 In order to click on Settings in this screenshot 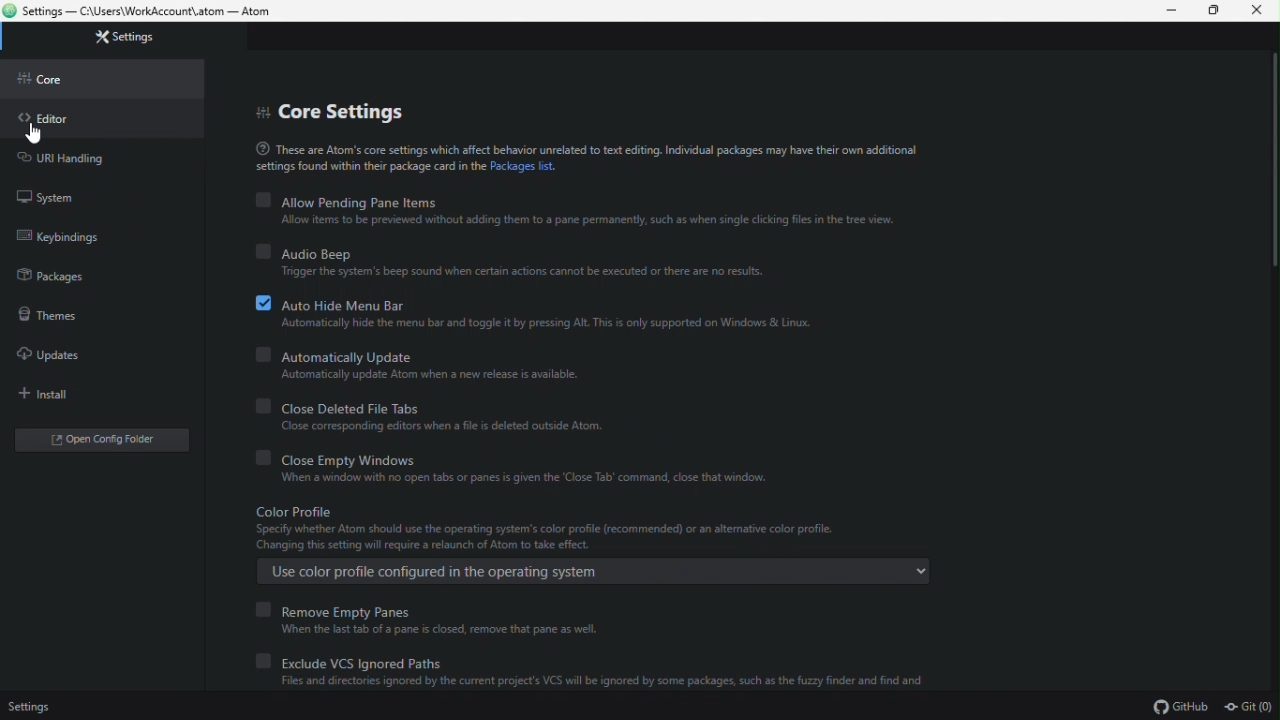, I will do `click(156, 42)`.